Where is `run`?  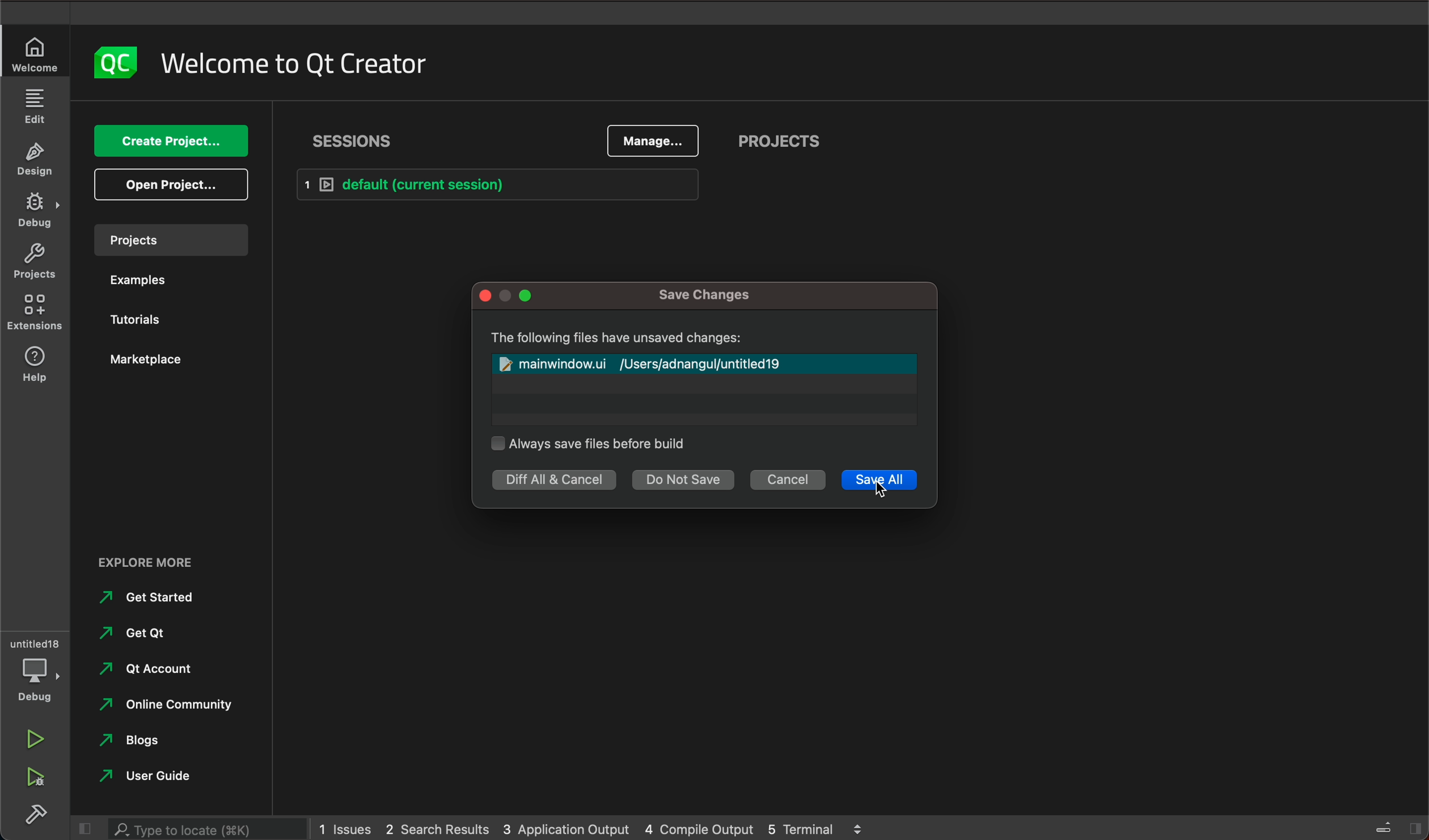 run is located at coordinates (39, 738).